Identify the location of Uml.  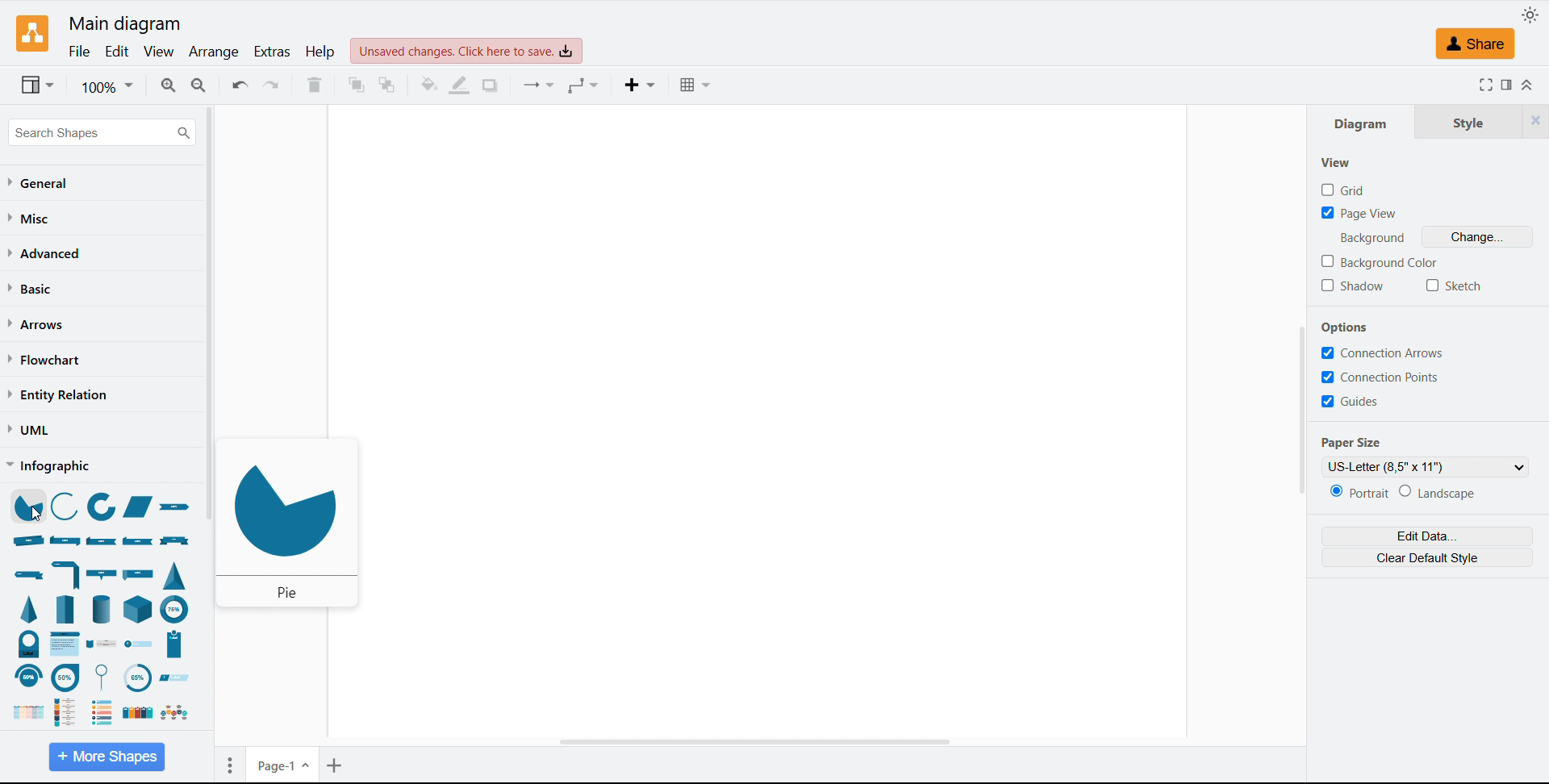
(29, 430).